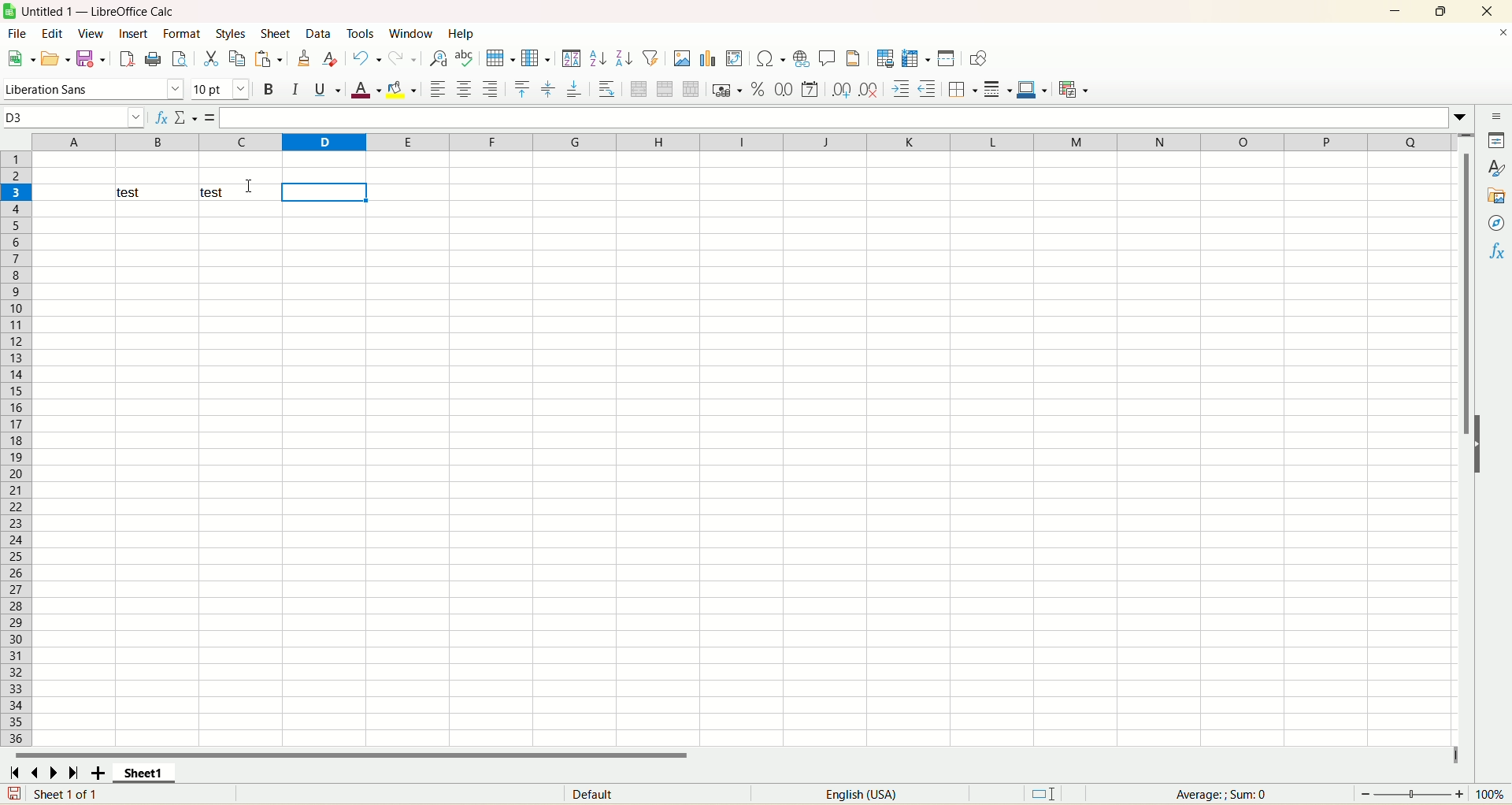  What do you see at coordinates (91, 34) in the screenshot?
I see `view` at bounding box center [91, 34].